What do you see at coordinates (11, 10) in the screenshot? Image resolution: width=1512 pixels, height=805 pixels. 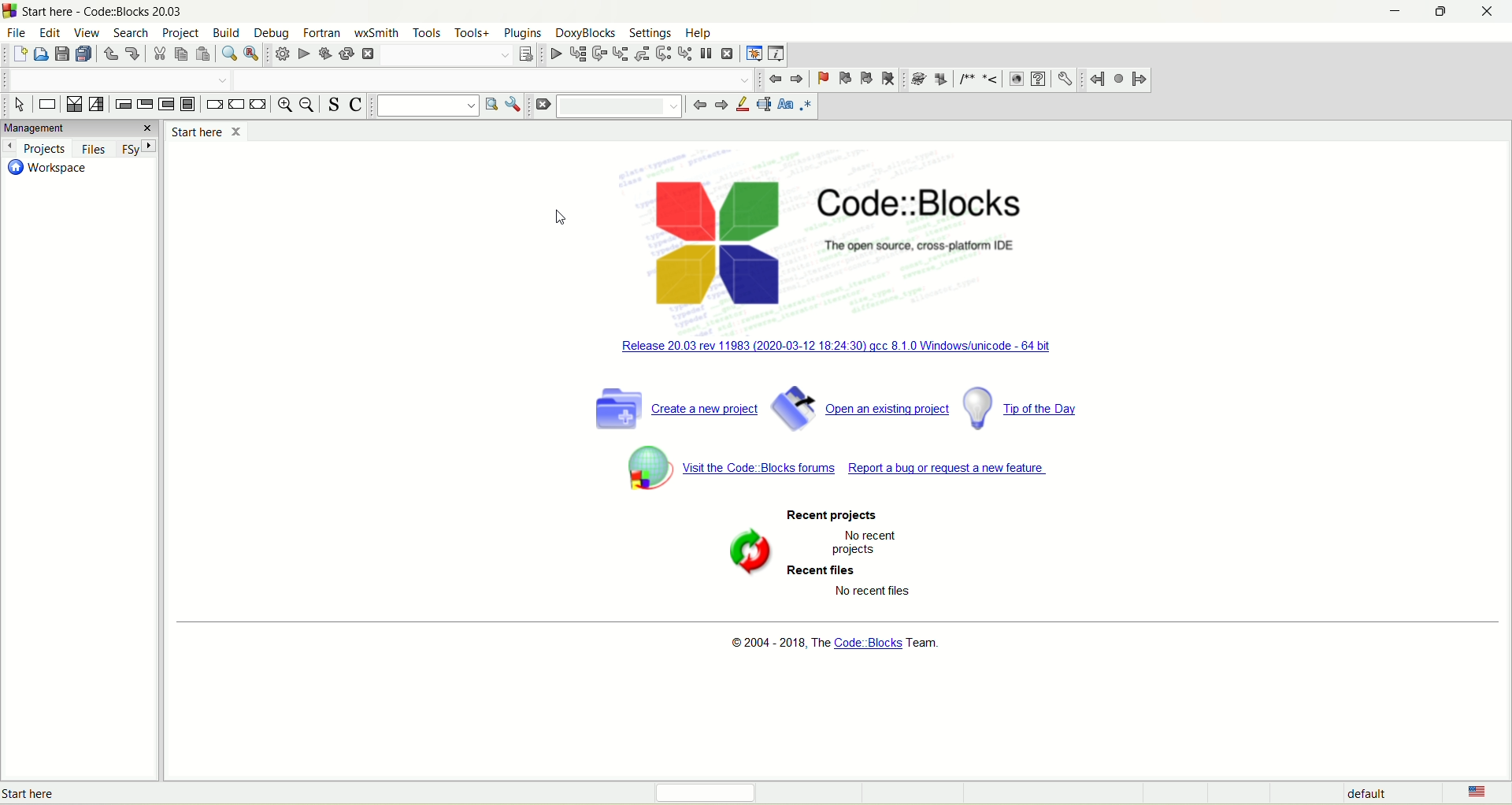 I see `logo` at bounding box center [11, 10].